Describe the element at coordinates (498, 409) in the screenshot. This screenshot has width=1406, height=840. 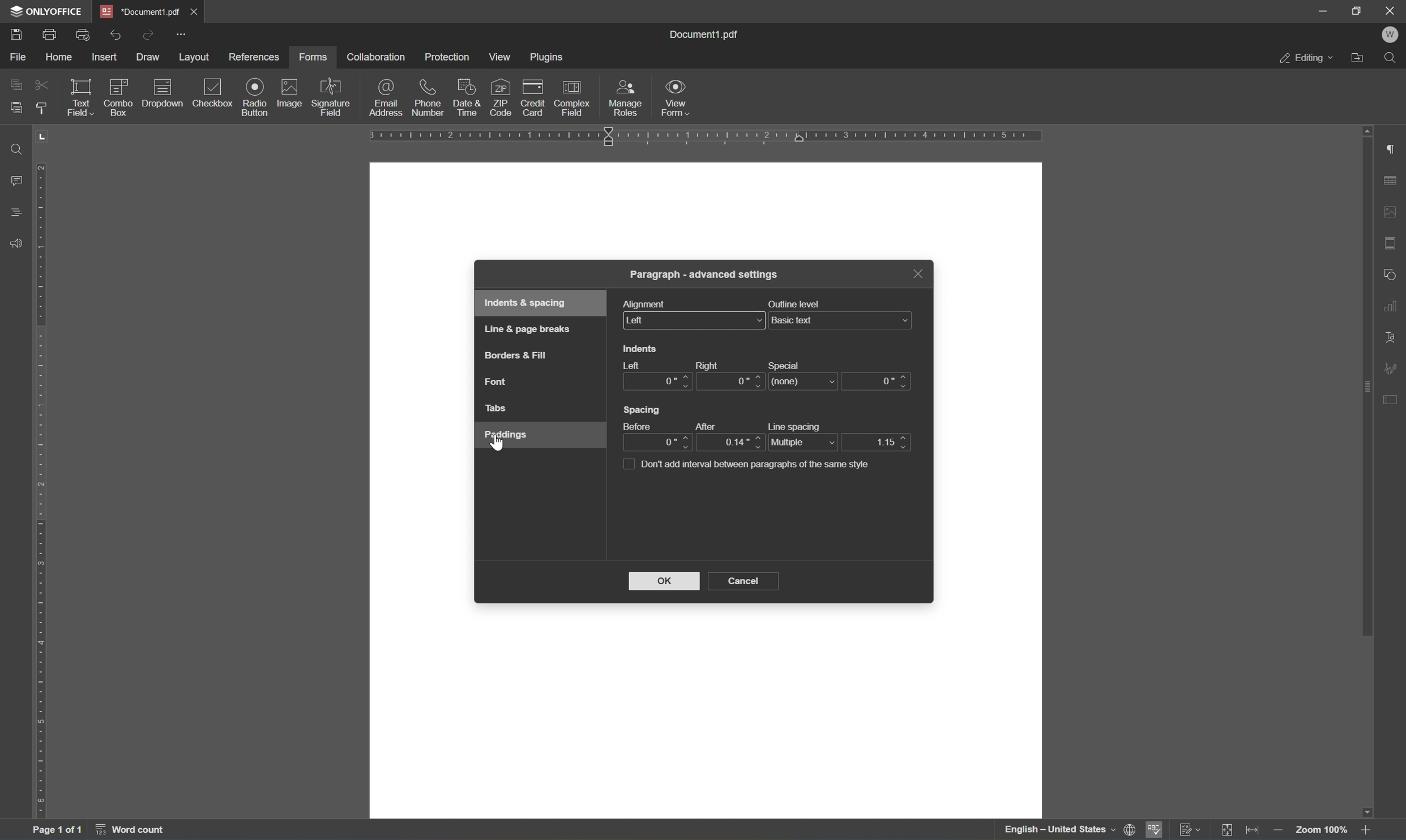
I see `tabs` at that location.